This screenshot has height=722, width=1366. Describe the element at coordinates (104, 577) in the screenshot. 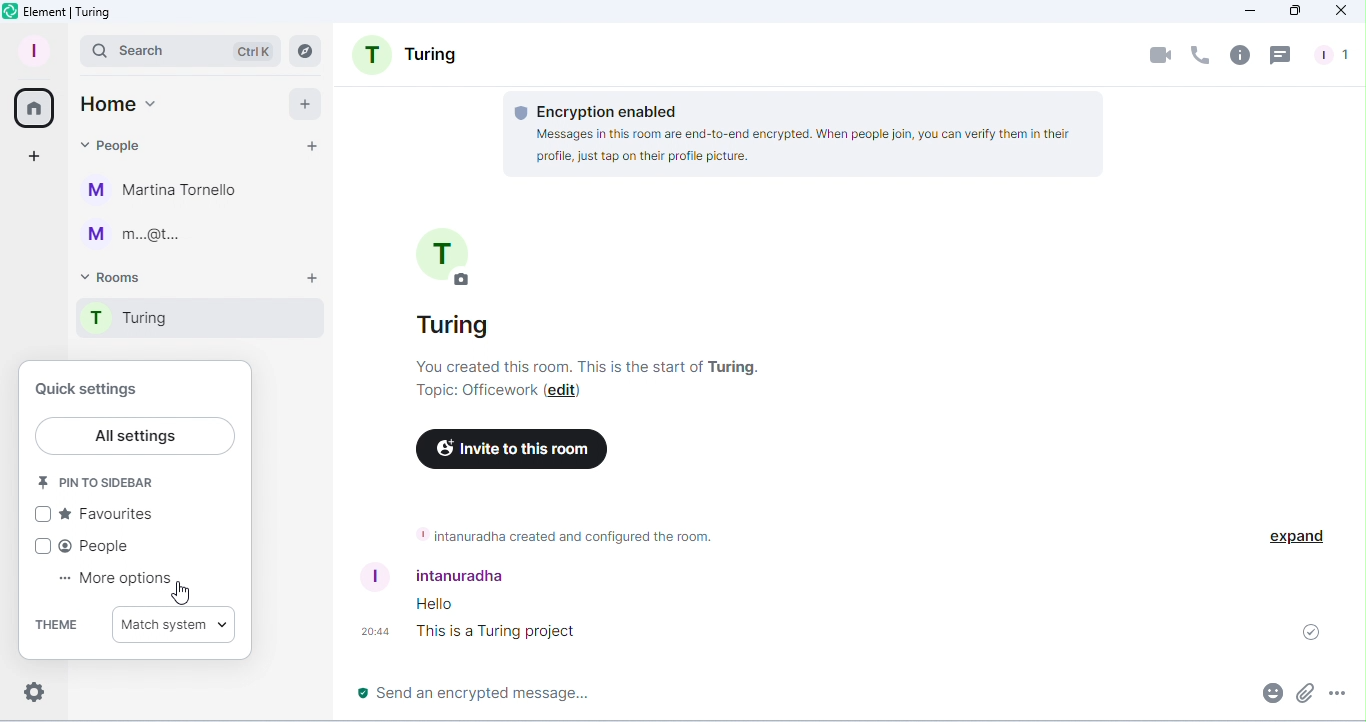

I see `More options` at that location.